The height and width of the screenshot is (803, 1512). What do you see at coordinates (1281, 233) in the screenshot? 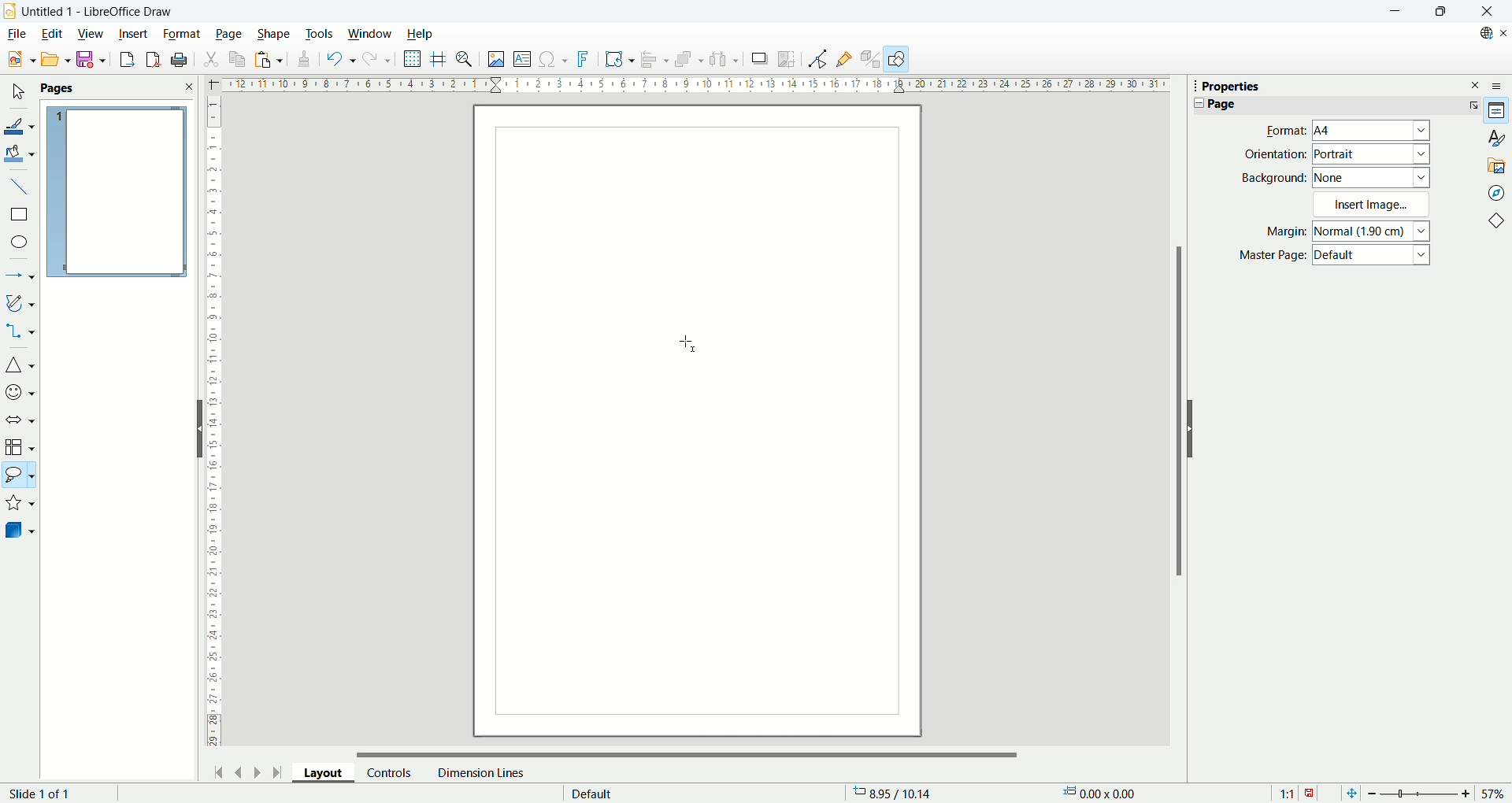
I see `Margin` at bounding box center [1281, 233].